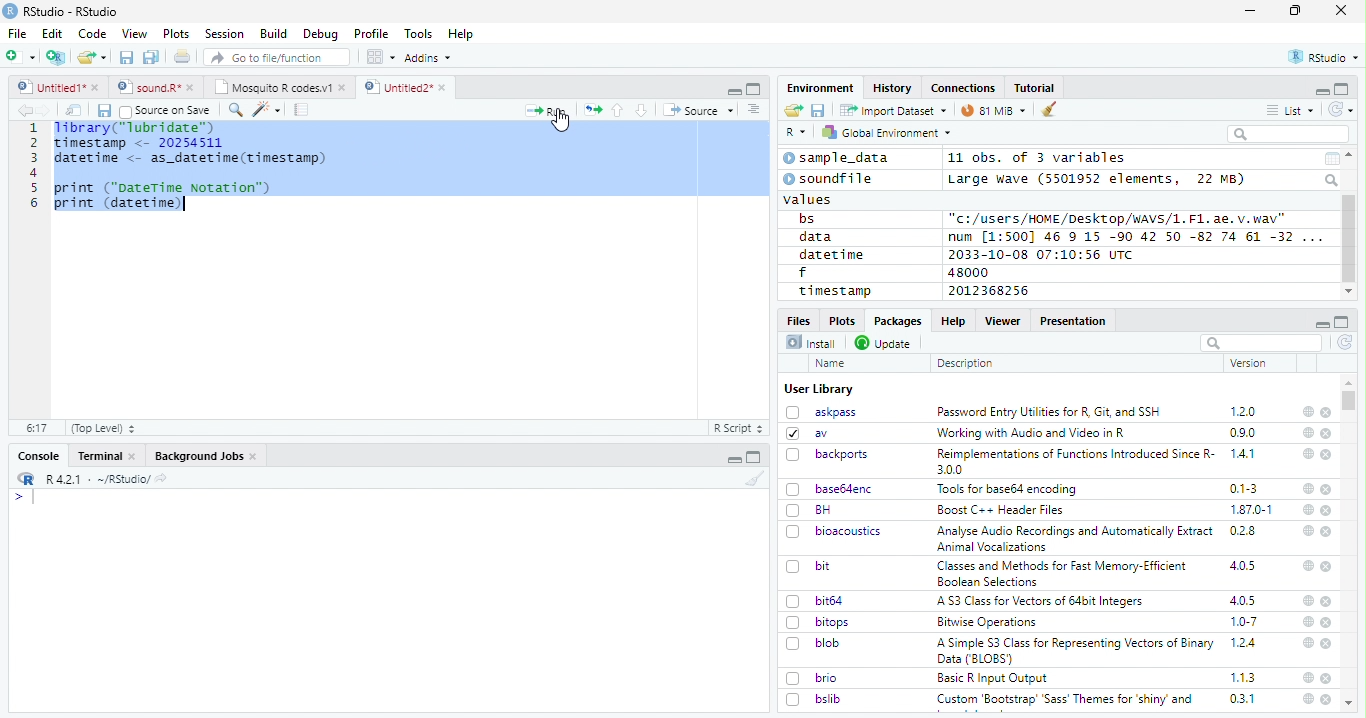 The image size is (1366, 718). What do you see at coordinates (751, 478) in the screenshot?
I see `clear workspace` at bounding box center [751, 478].